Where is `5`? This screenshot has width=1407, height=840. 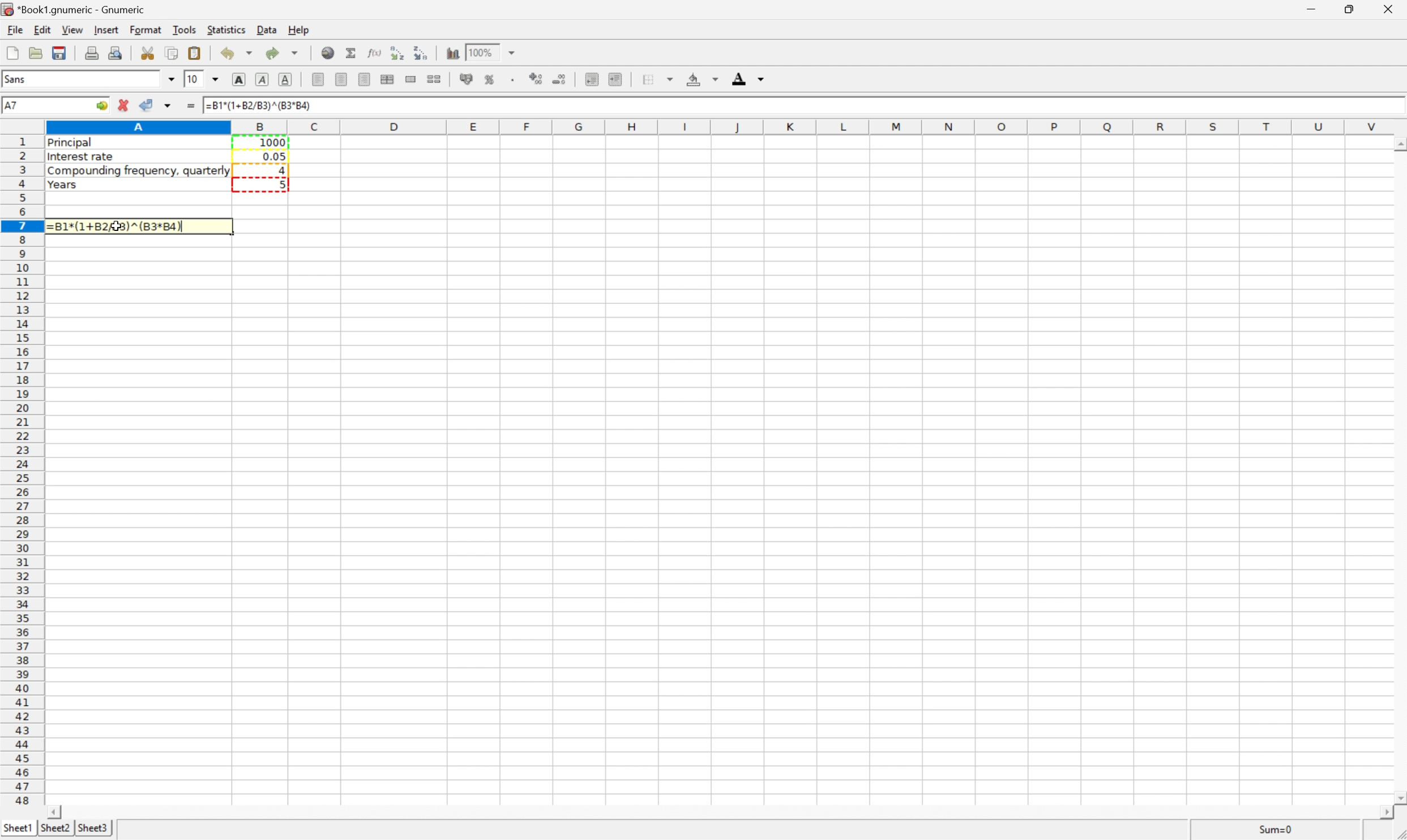 5 is located at coordinates (280, 183).